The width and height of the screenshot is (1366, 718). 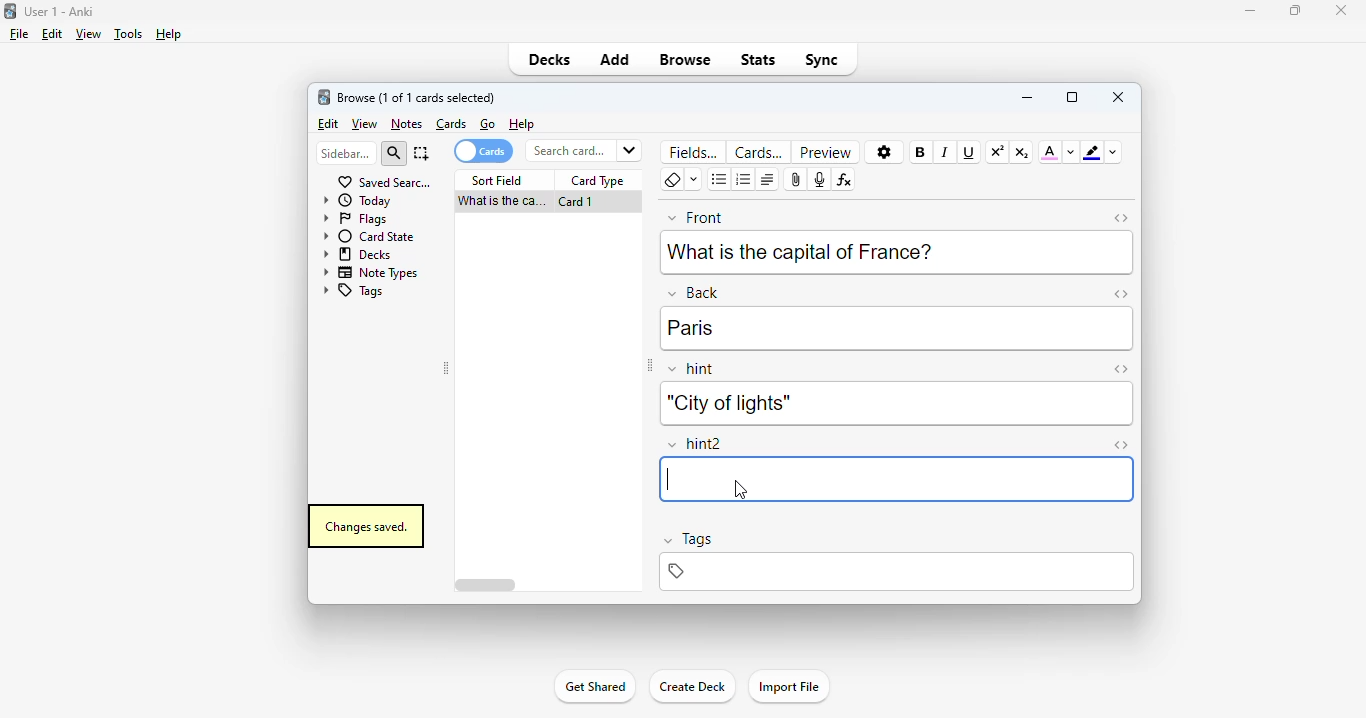 What do you see at coordinates (167, 34) in the screenshot?
I see `help` at bounding box center [167, 34].